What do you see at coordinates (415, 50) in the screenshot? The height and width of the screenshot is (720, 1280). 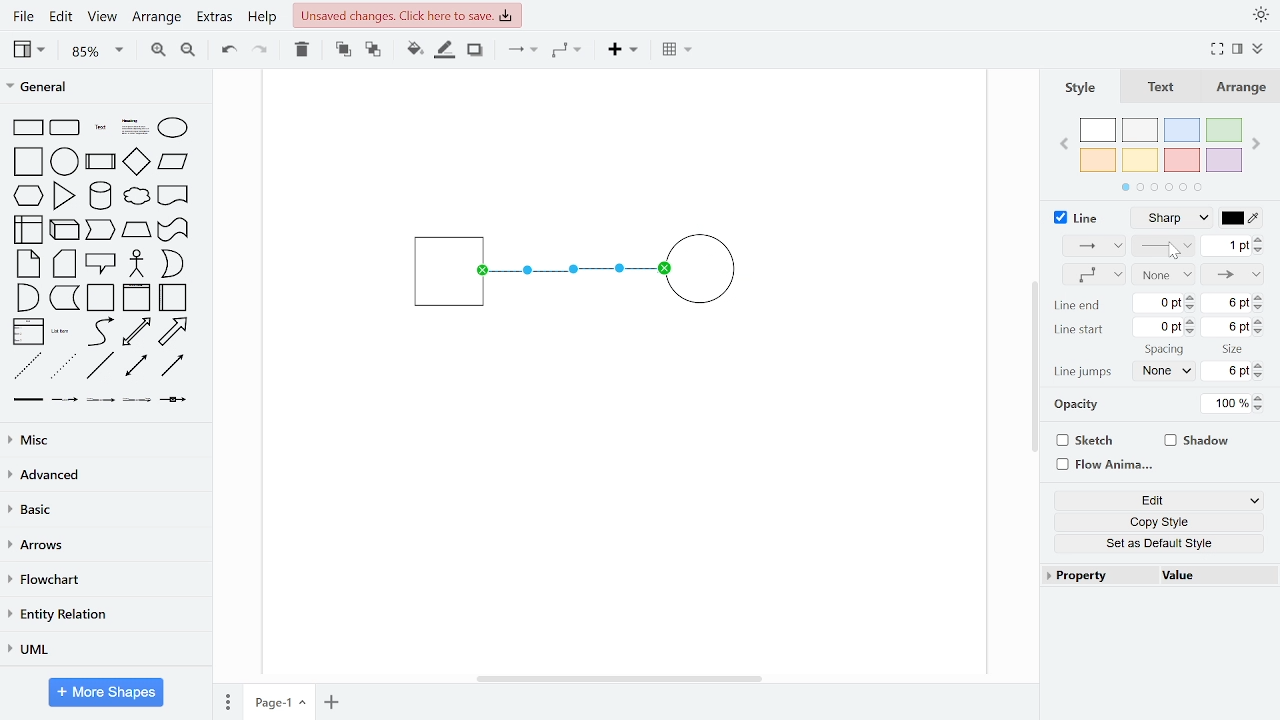 I see `fill color` at bounding box center [415, 50].